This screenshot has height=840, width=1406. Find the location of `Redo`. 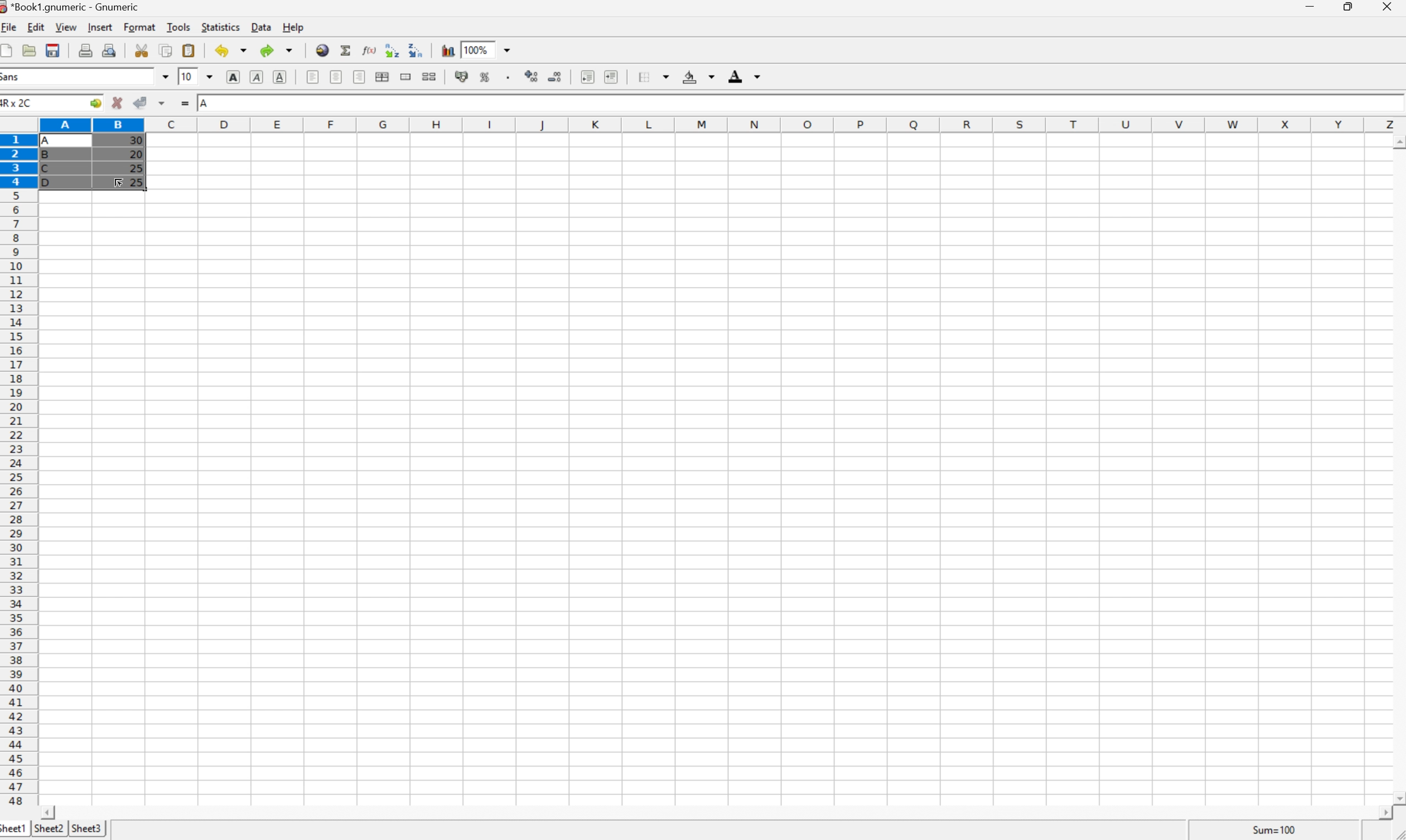

Redo is located at coordinates (275, 49).